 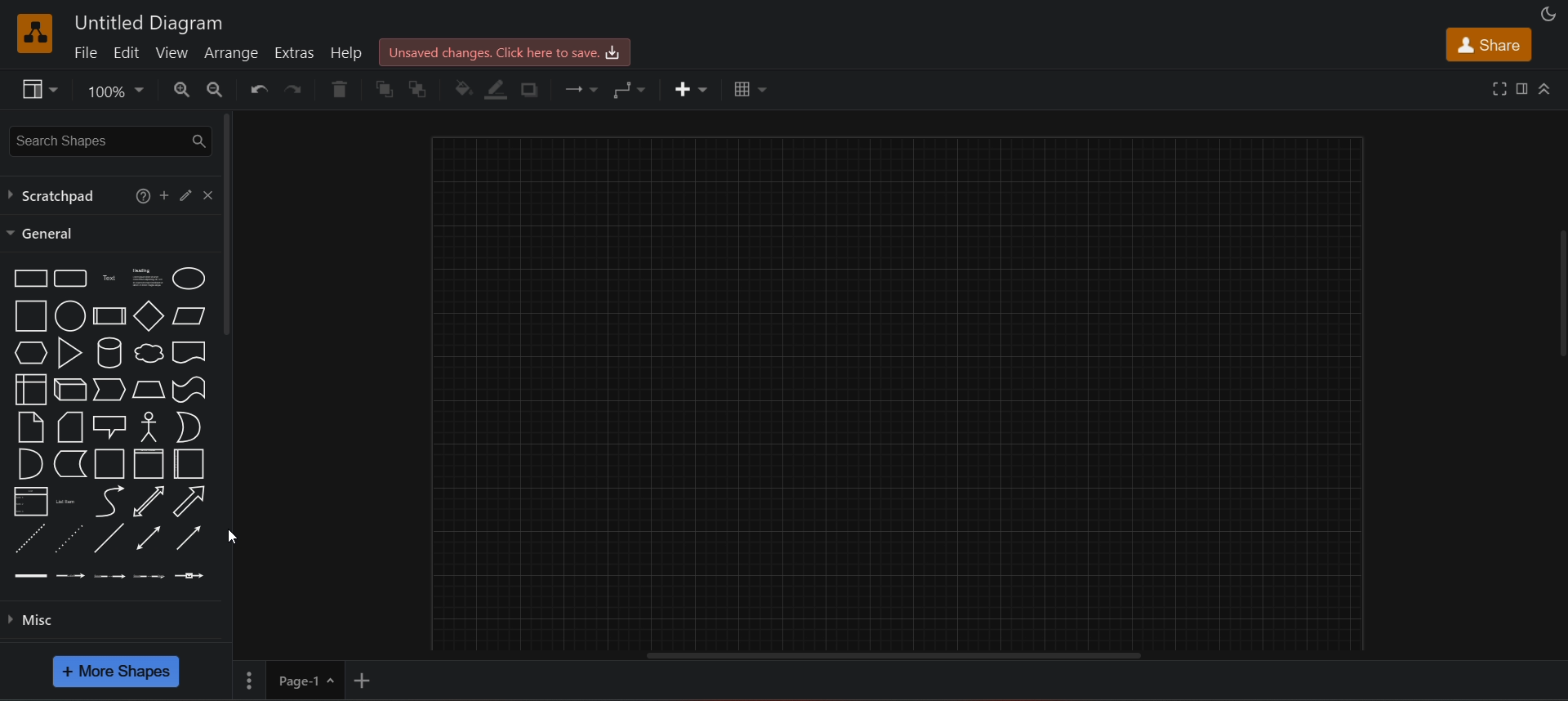 I want to click on logo, so click(x=34, y=32).